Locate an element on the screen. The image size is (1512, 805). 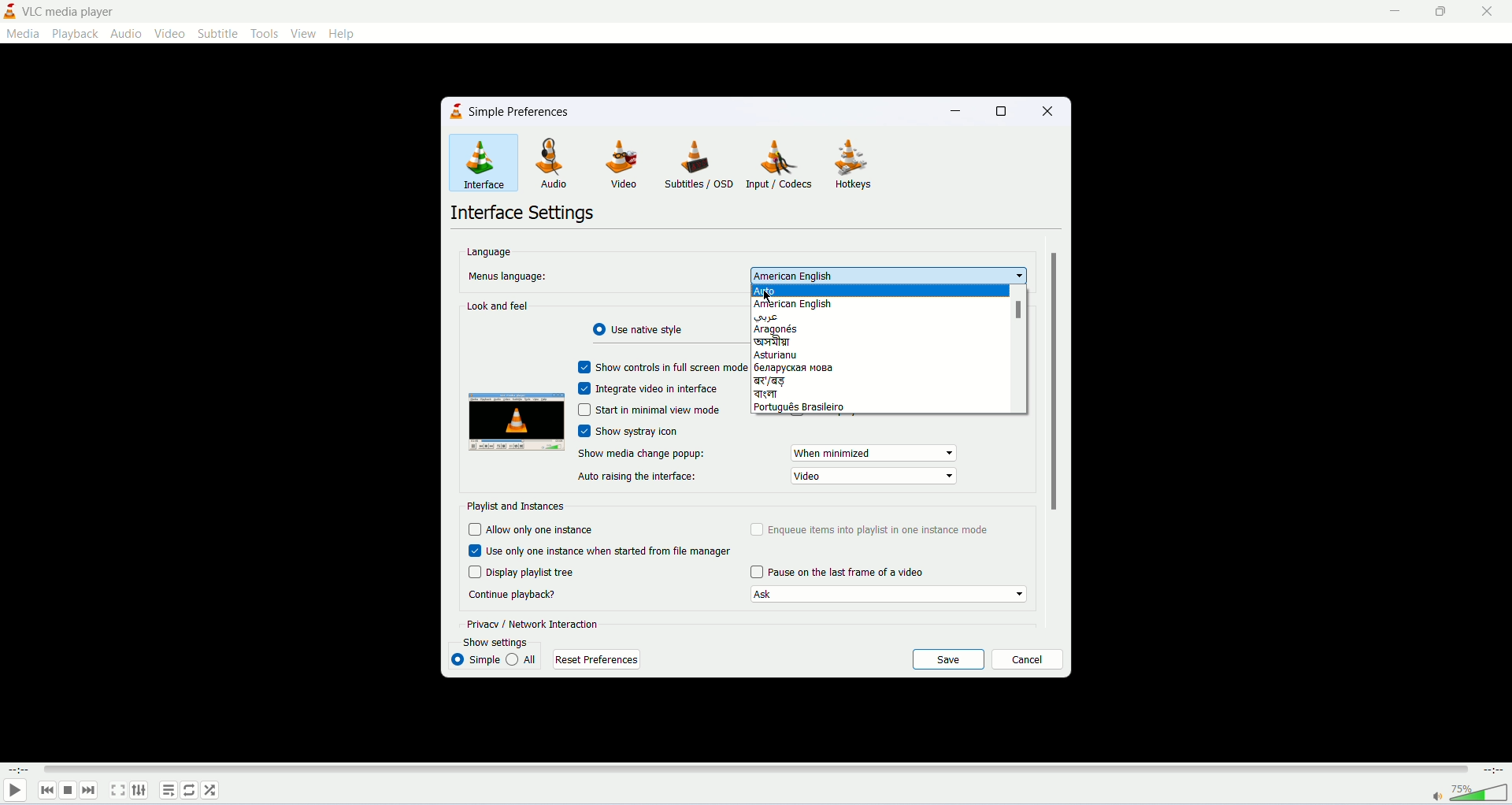
fullscreen is located at coordinates (117, 790).